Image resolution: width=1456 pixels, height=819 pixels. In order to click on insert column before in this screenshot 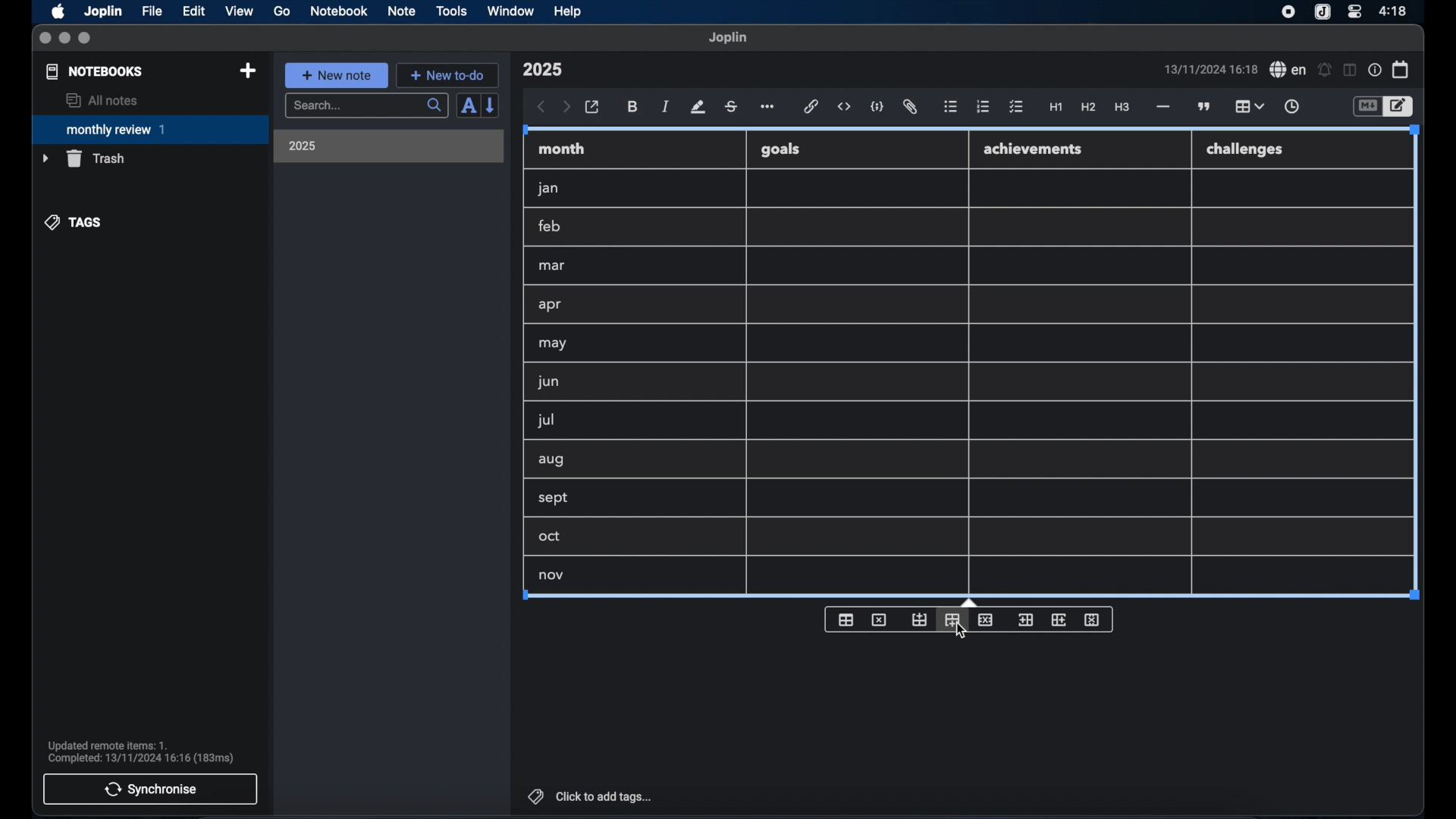, I will do `click(1025, 619)`.